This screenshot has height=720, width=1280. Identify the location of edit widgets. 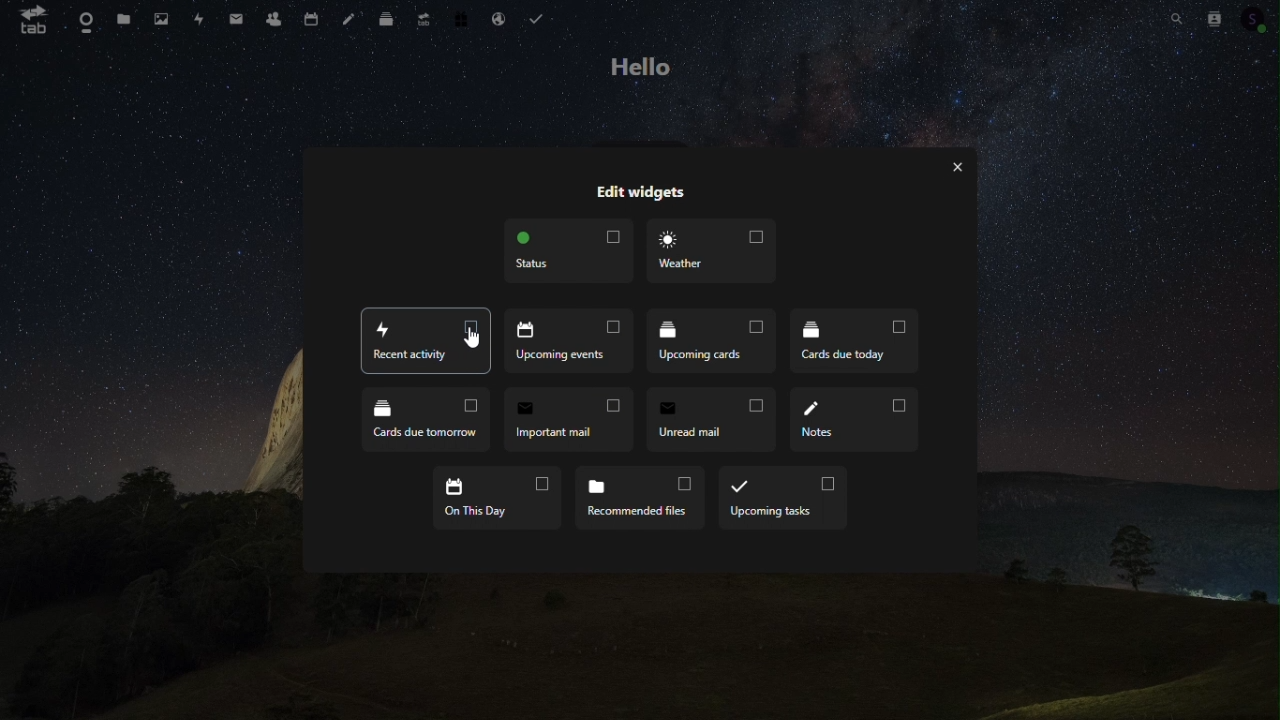
(640, 193).